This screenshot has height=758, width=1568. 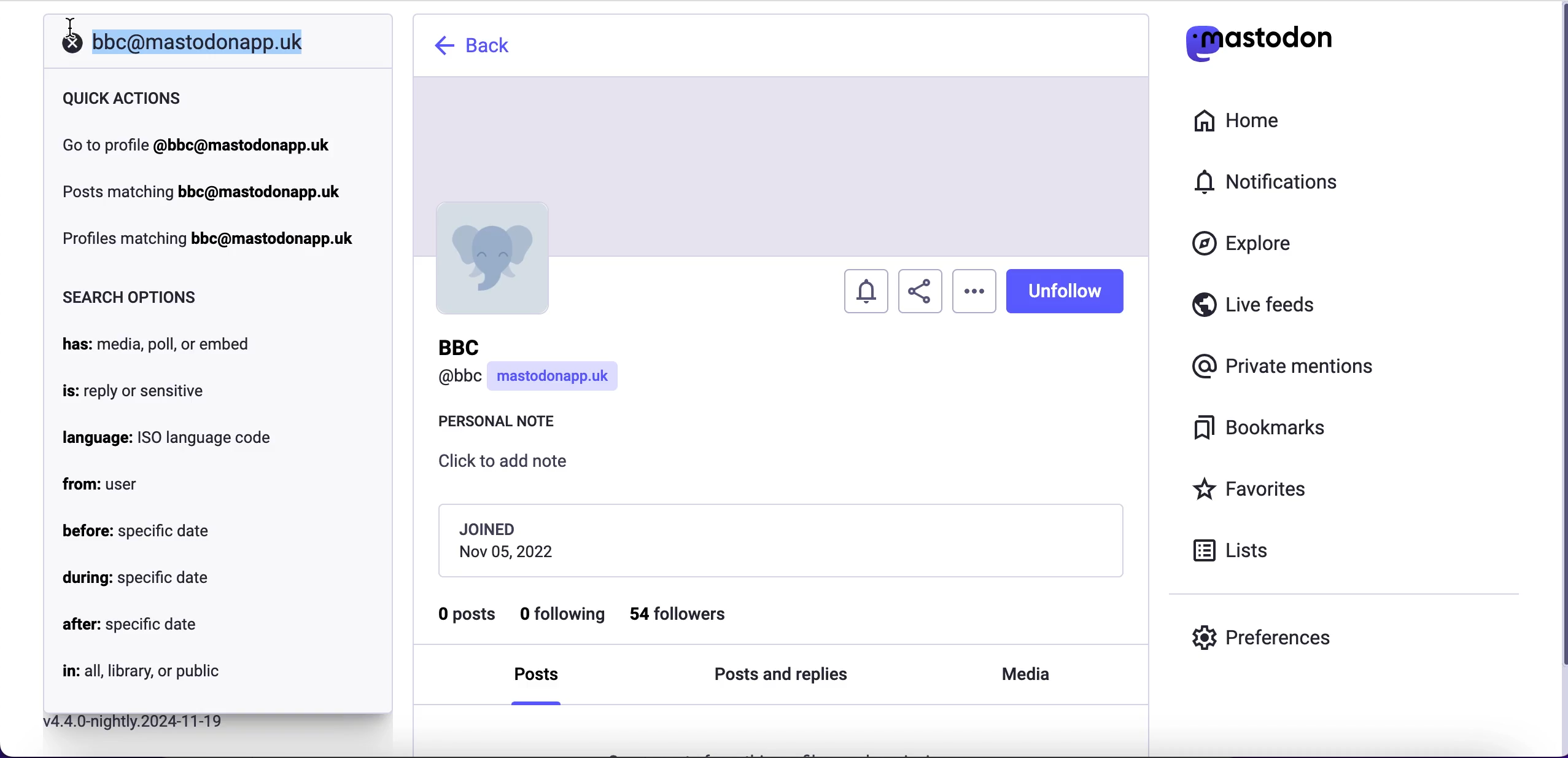 What do you see at coordinates (1560, 378) in the screenshot?
I see `scroll bar` at bounding box center [1560, 378].